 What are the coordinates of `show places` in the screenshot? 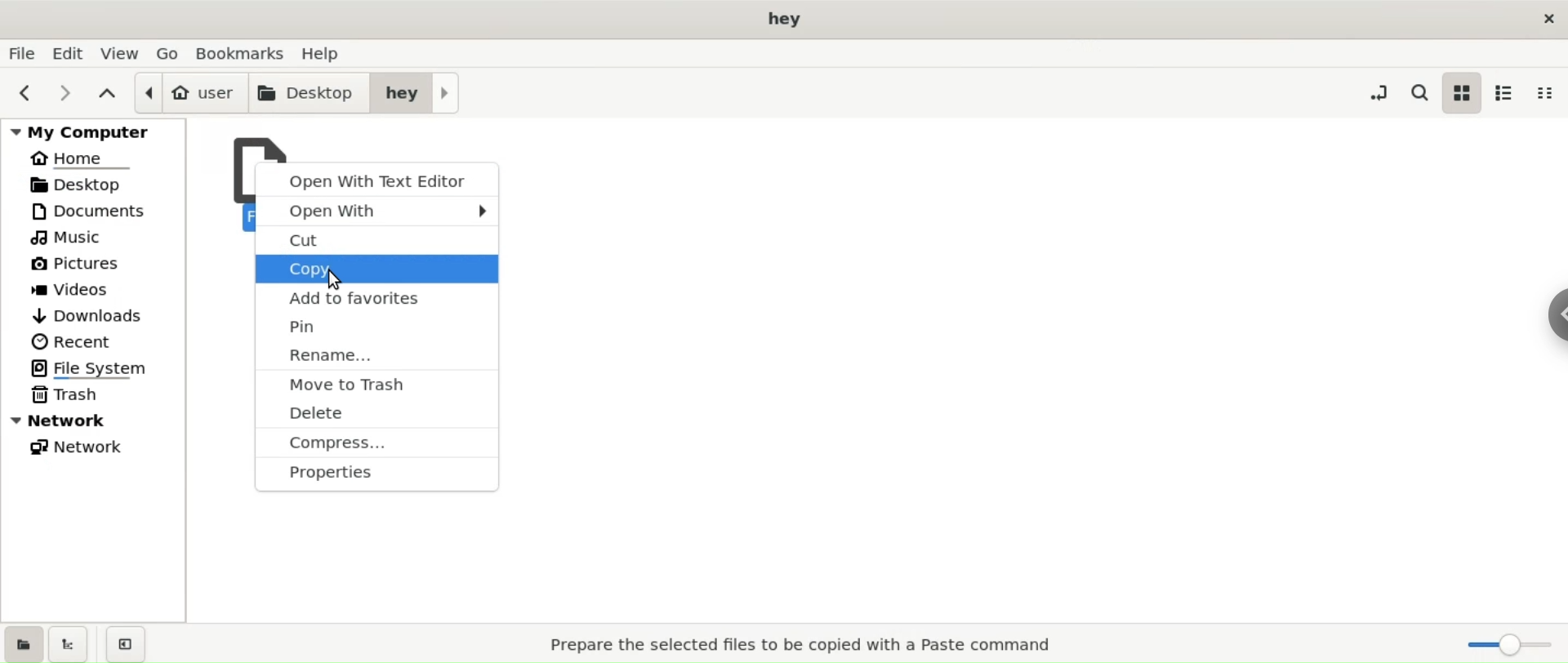 It's located at (21, 643).